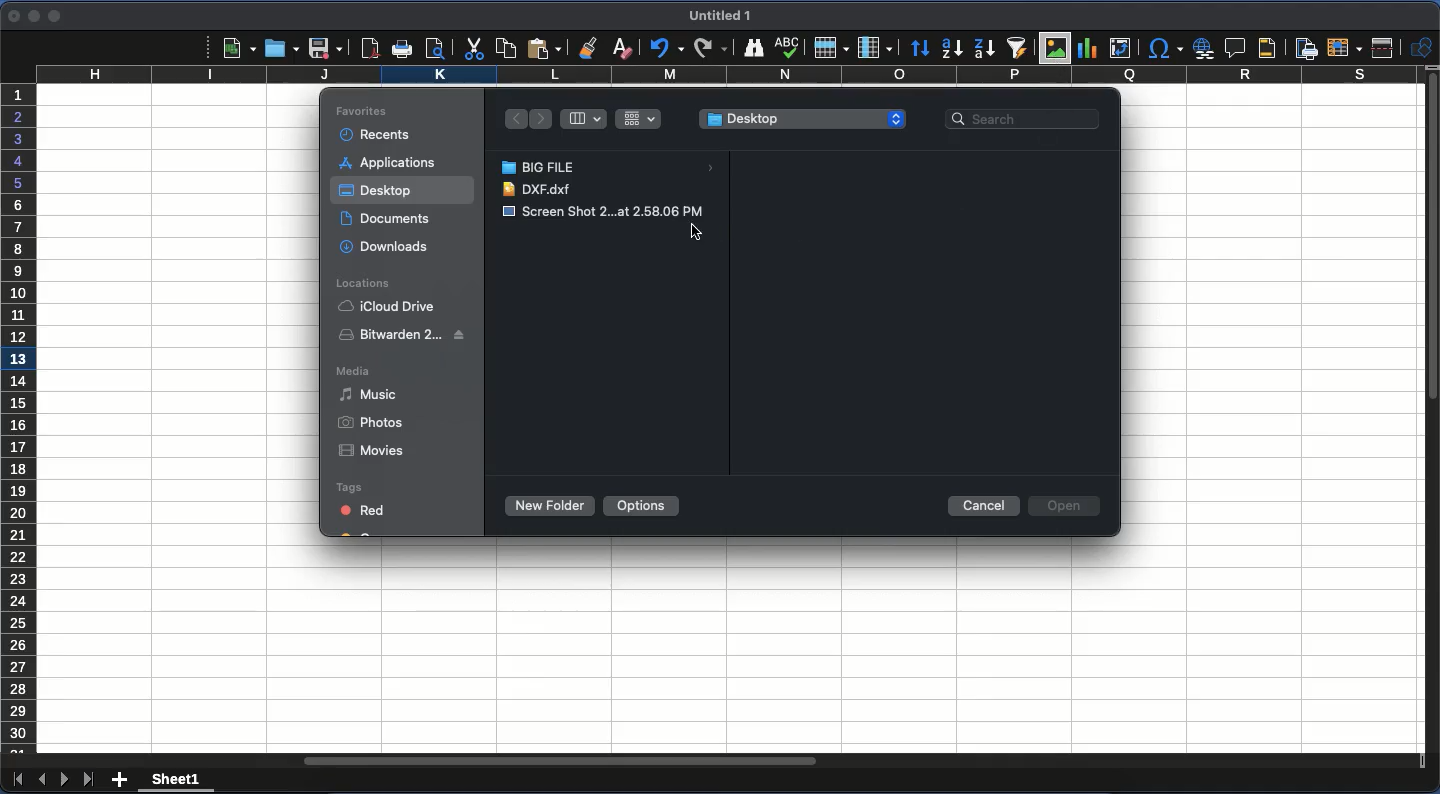 The width and height of the screenshot is (1440, 794). What do you see at coordinates (385, 220) in the screenshot?
I see `documents` at bounding box center [385, 220].